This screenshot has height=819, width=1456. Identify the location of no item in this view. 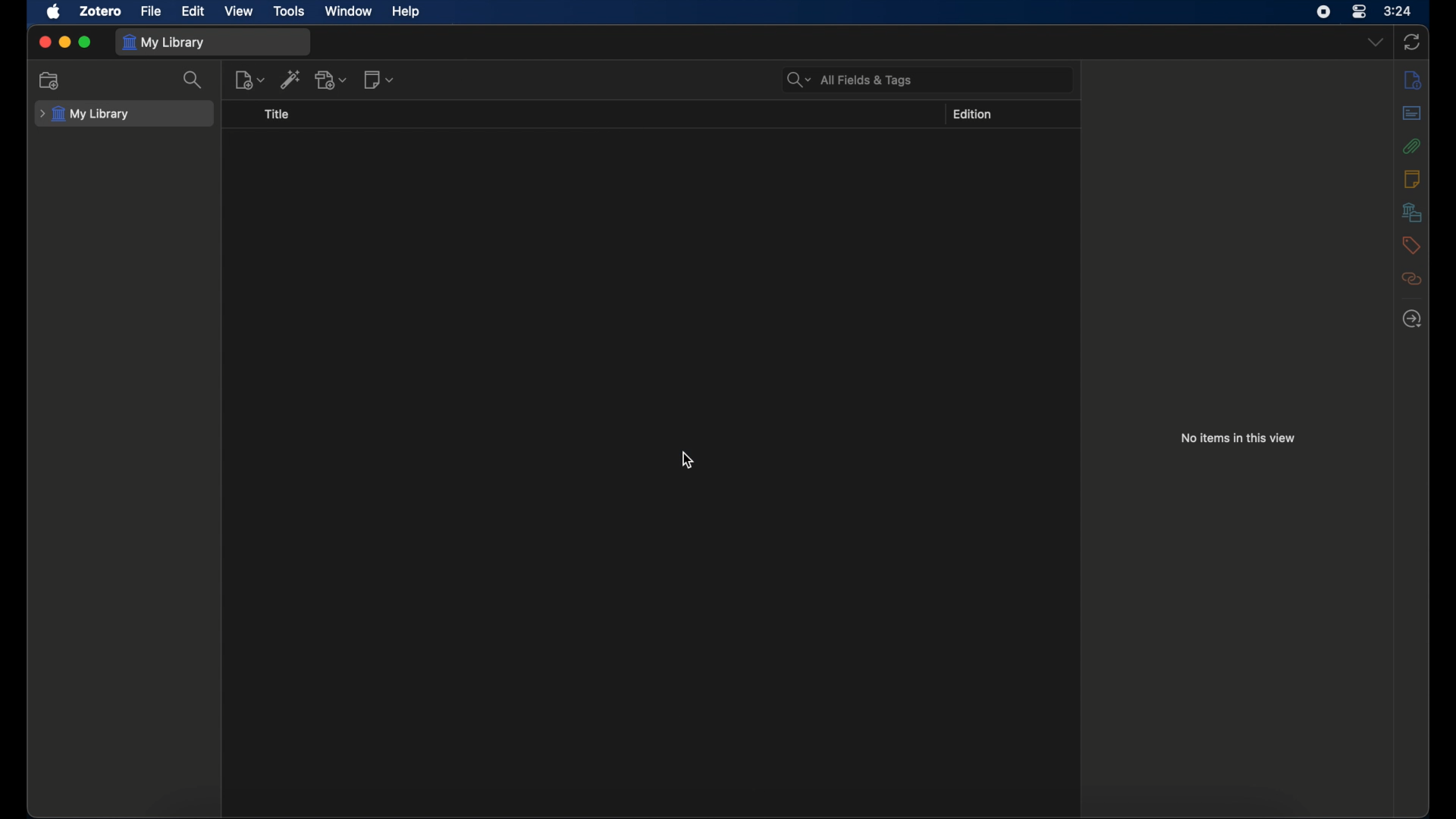
(1238, 438).